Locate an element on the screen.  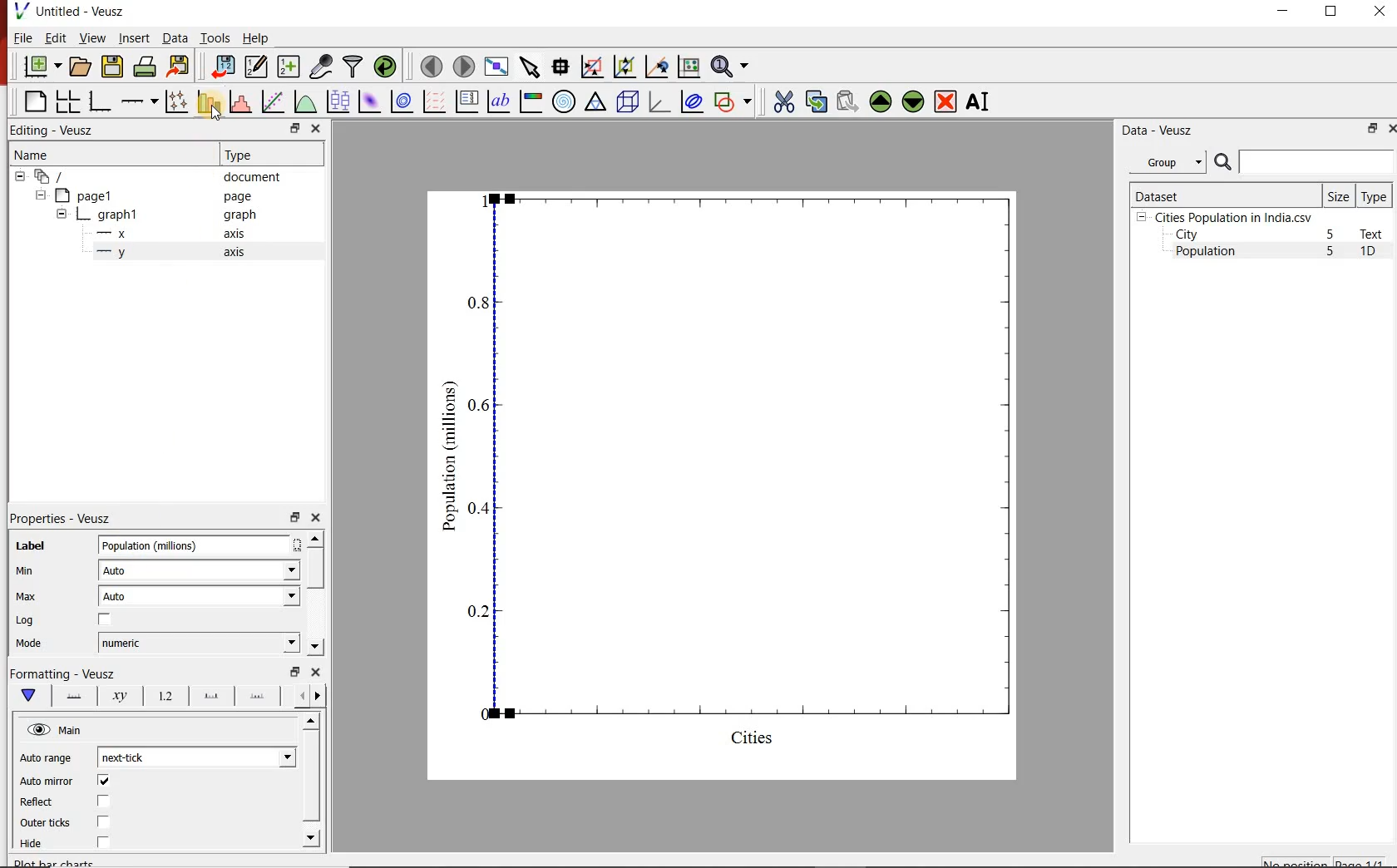
Tick labels is located at coordinates (161, 698).